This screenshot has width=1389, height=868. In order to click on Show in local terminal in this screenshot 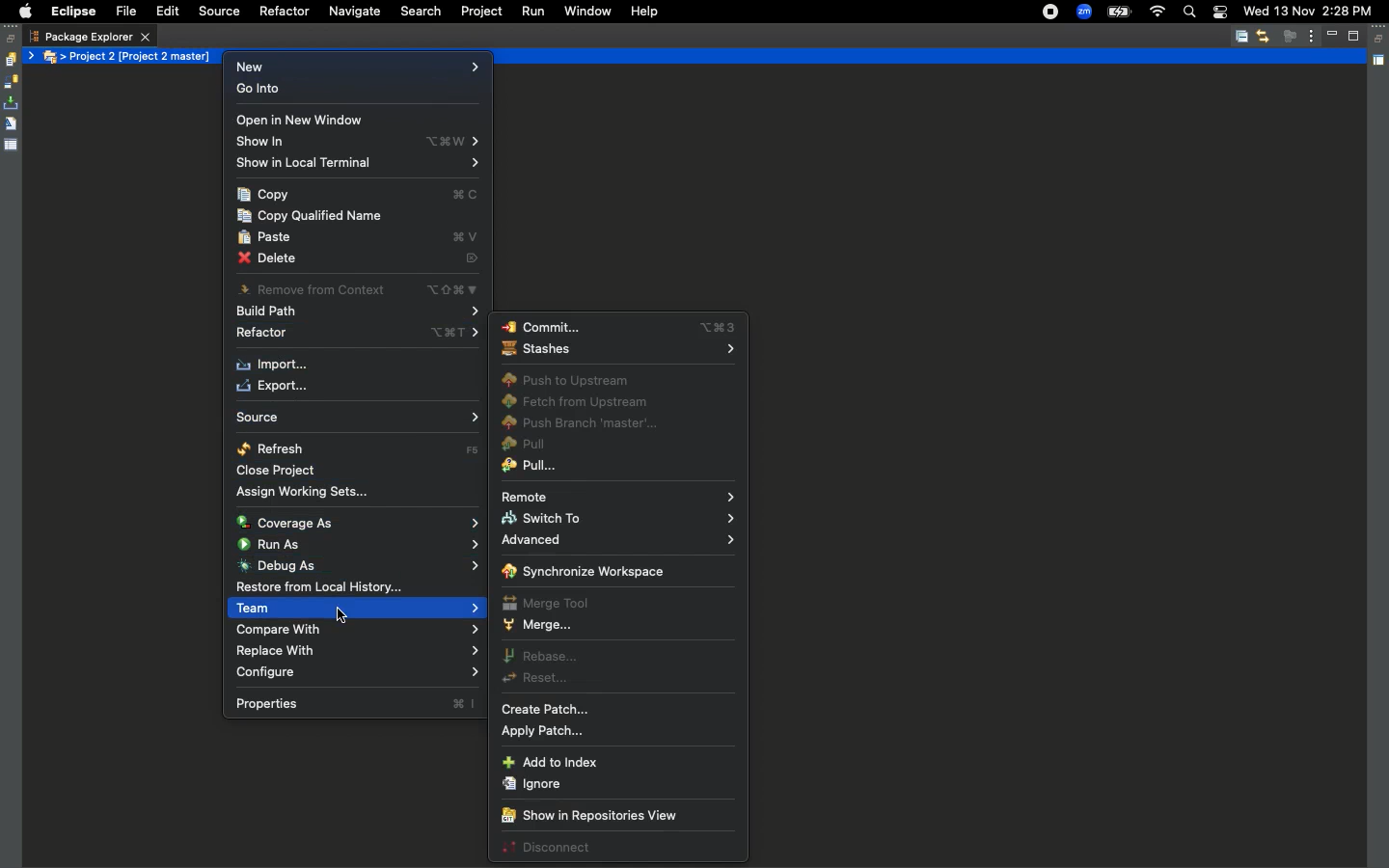, I will do `click(364, 167)`.